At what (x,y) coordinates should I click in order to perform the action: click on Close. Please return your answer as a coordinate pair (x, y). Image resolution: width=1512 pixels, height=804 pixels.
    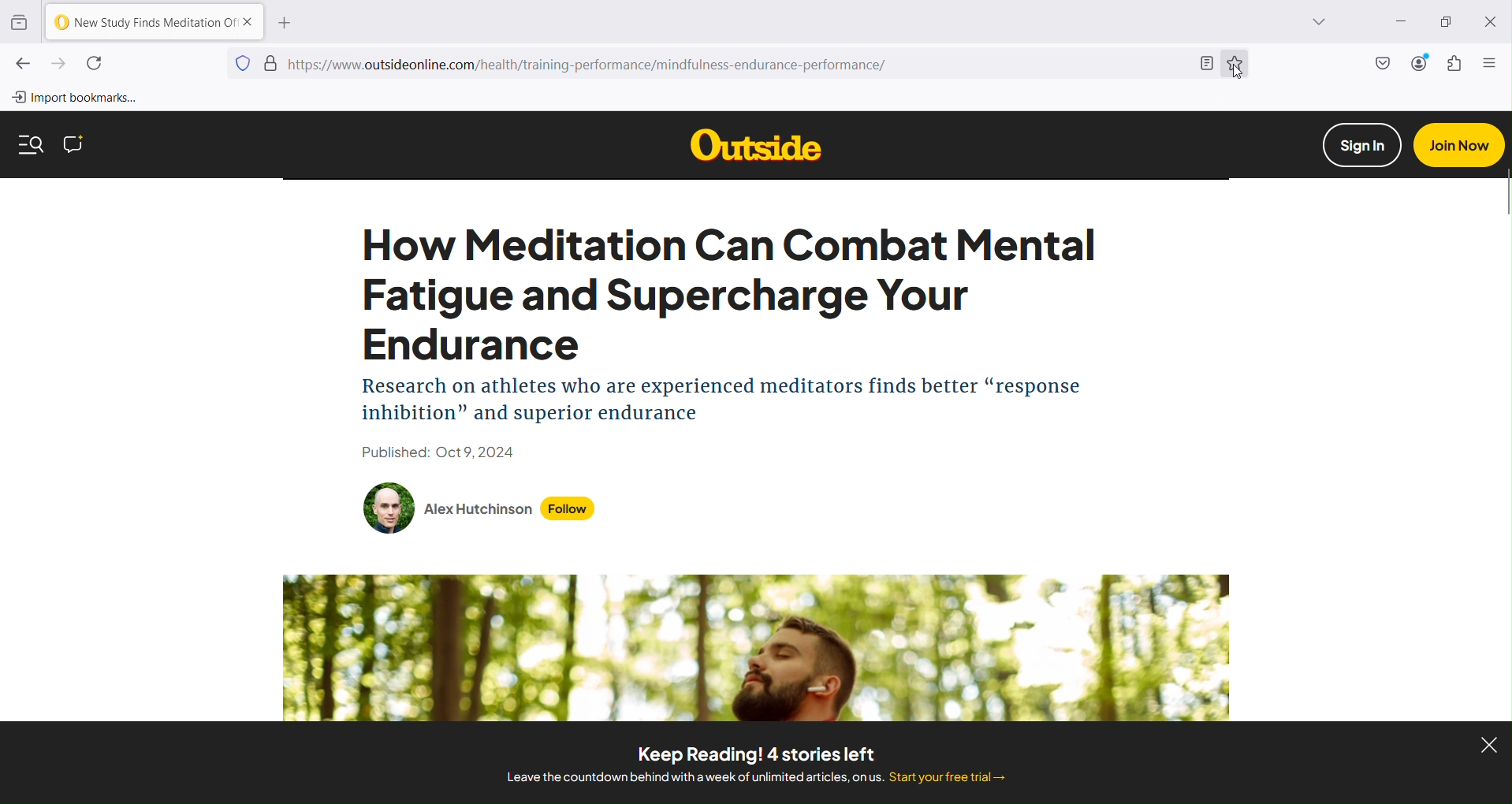
    Looking at the image, I should click on (1492, 24).